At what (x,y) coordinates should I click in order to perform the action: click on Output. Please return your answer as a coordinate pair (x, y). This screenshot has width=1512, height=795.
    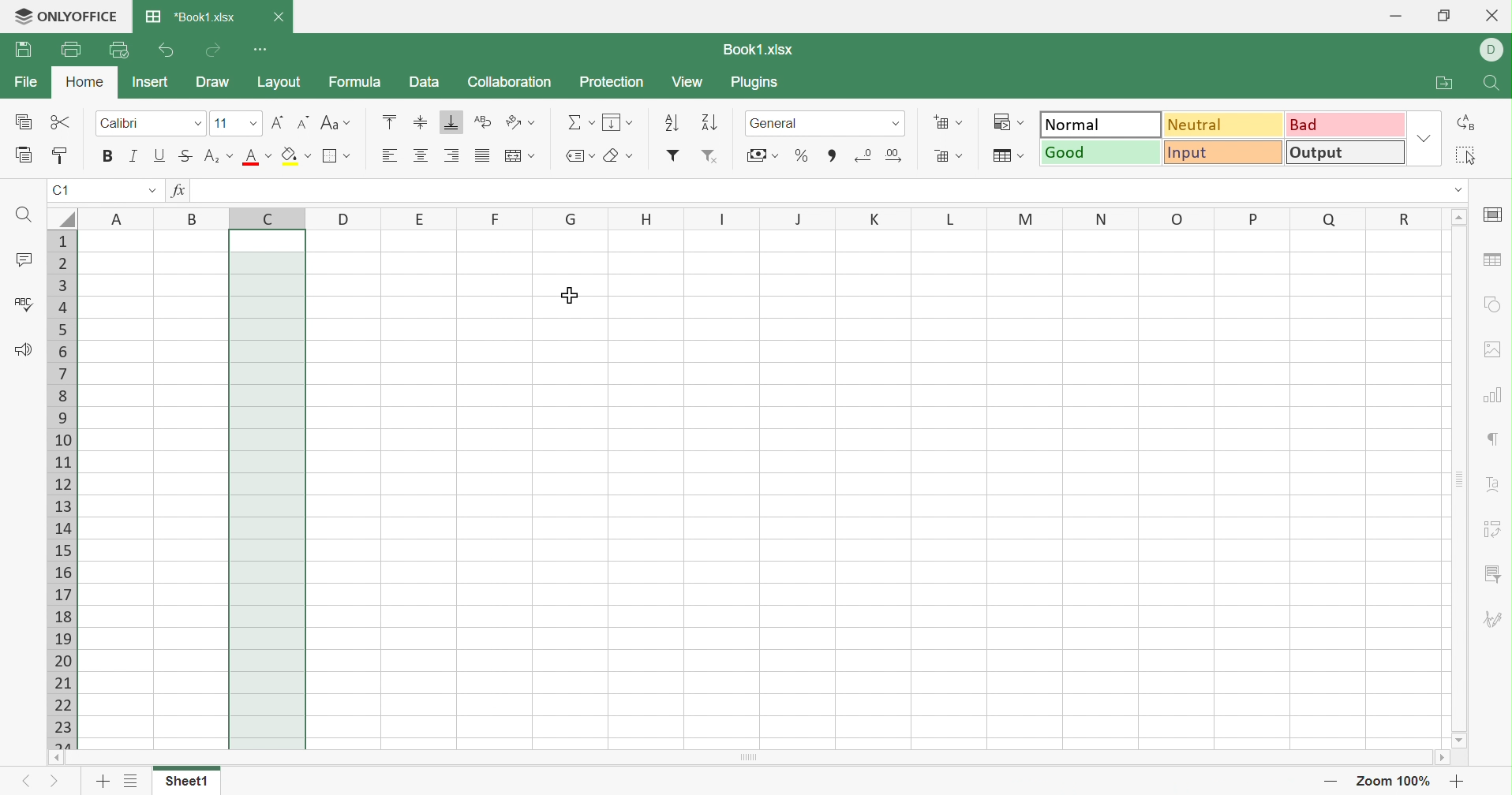
    Looking at the image, I should click on (1347, 154).